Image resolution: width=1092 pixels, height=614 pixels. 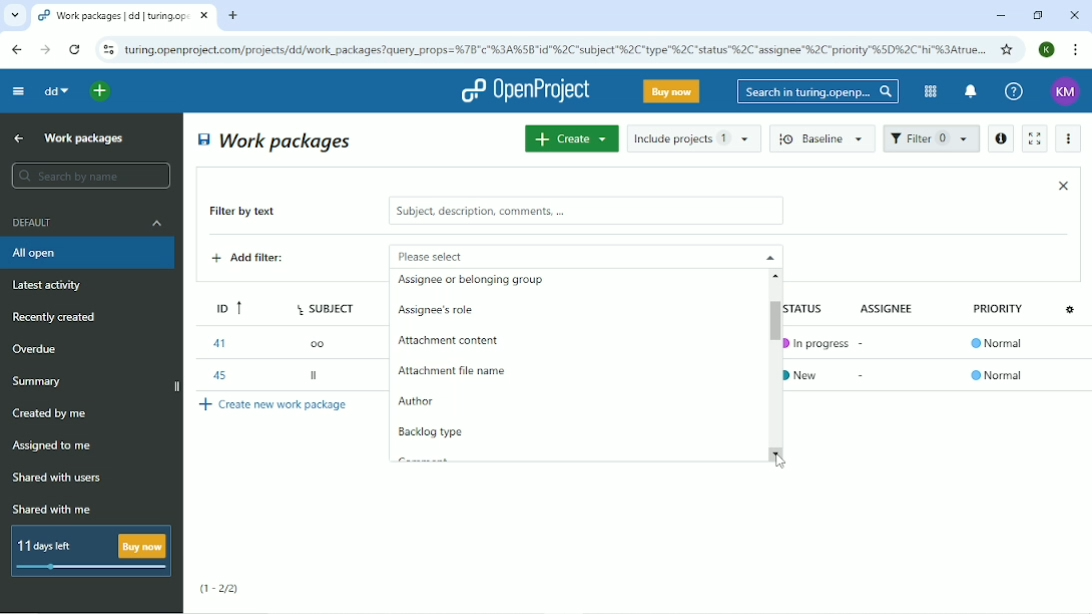 What do you see at coordinates (17, 90) in the screenshot?
I see `Collapse project menu` at bounding box center [17, 90].